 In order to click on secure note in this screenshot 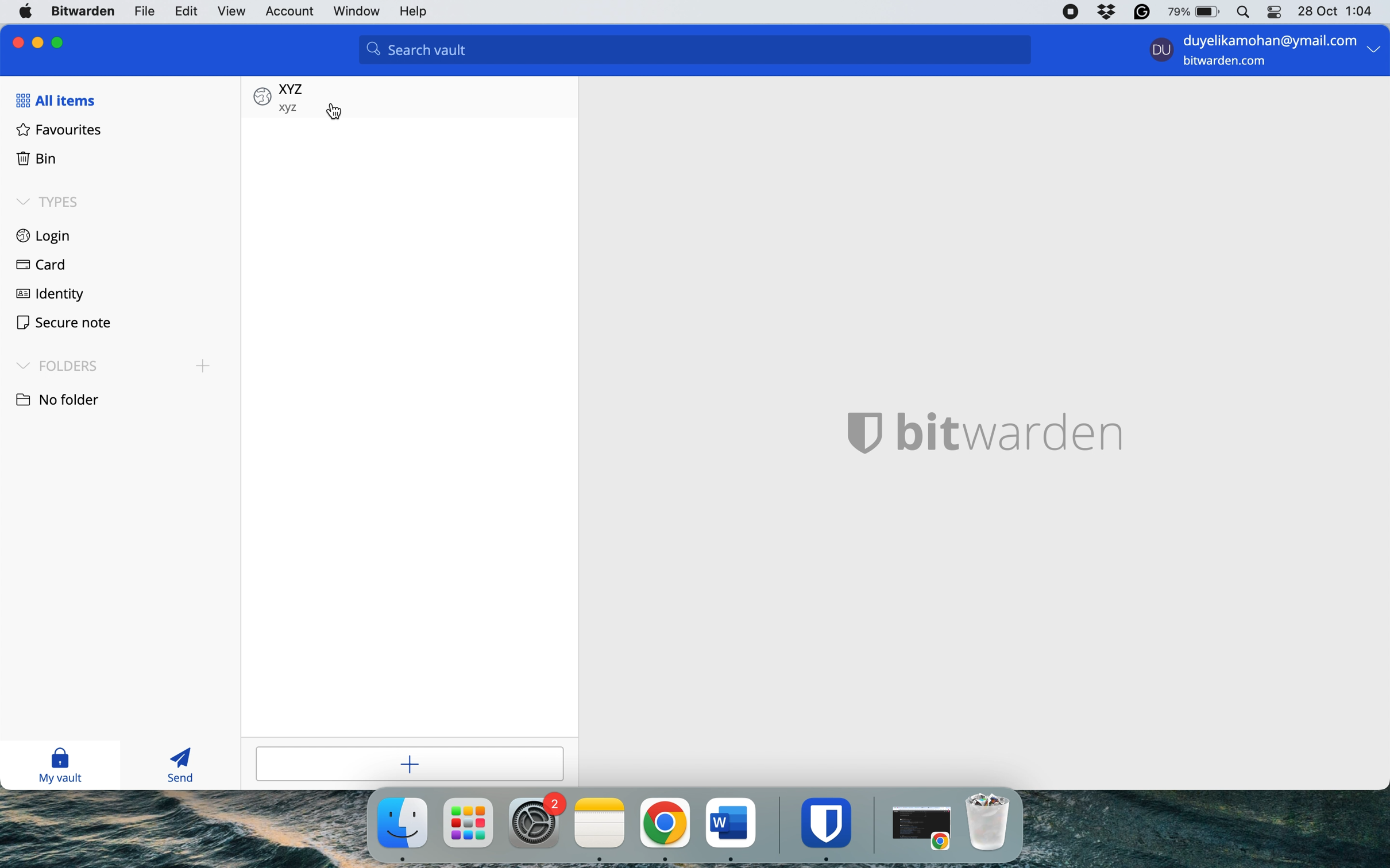, I will do `click(64, 324)`.